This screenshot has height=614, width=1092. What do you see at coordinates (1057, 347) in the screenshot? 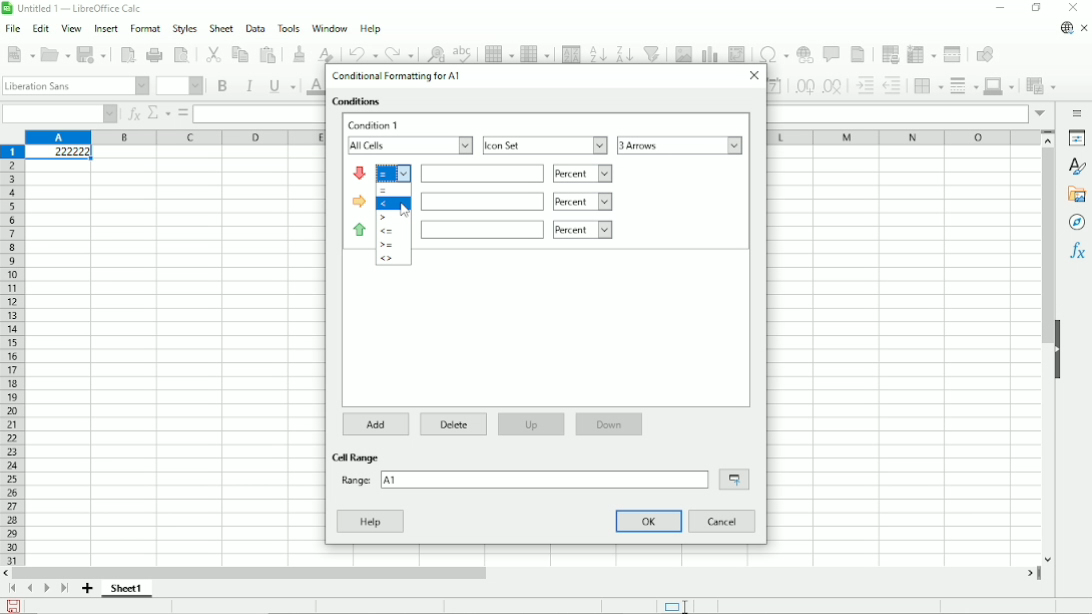
I see `Hide` at bounding box center [1057, 347].